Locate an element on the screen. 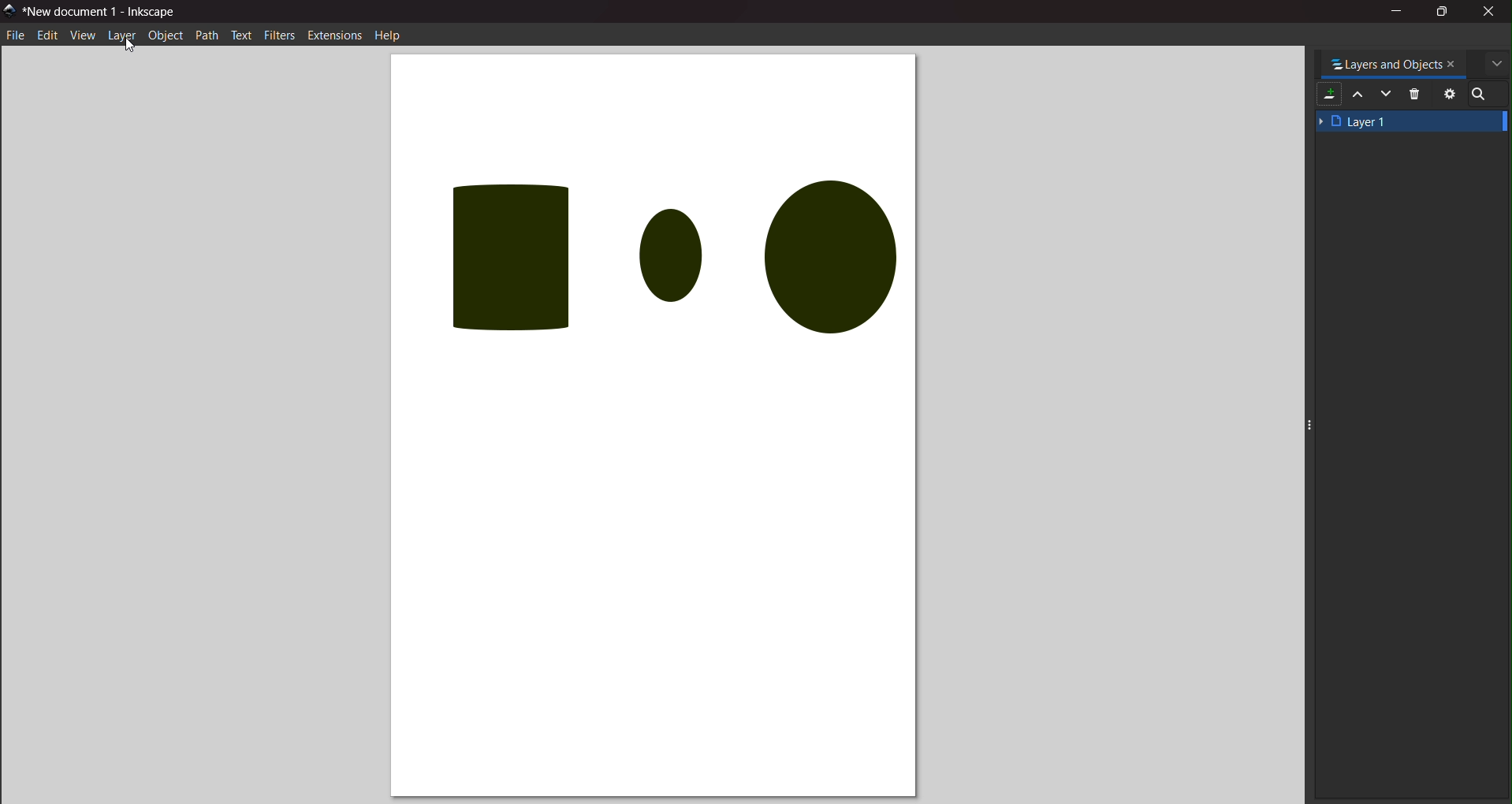 Image resolution: width=1512 pixels, height=804 pixels. path is located at coordinates (207, 35).